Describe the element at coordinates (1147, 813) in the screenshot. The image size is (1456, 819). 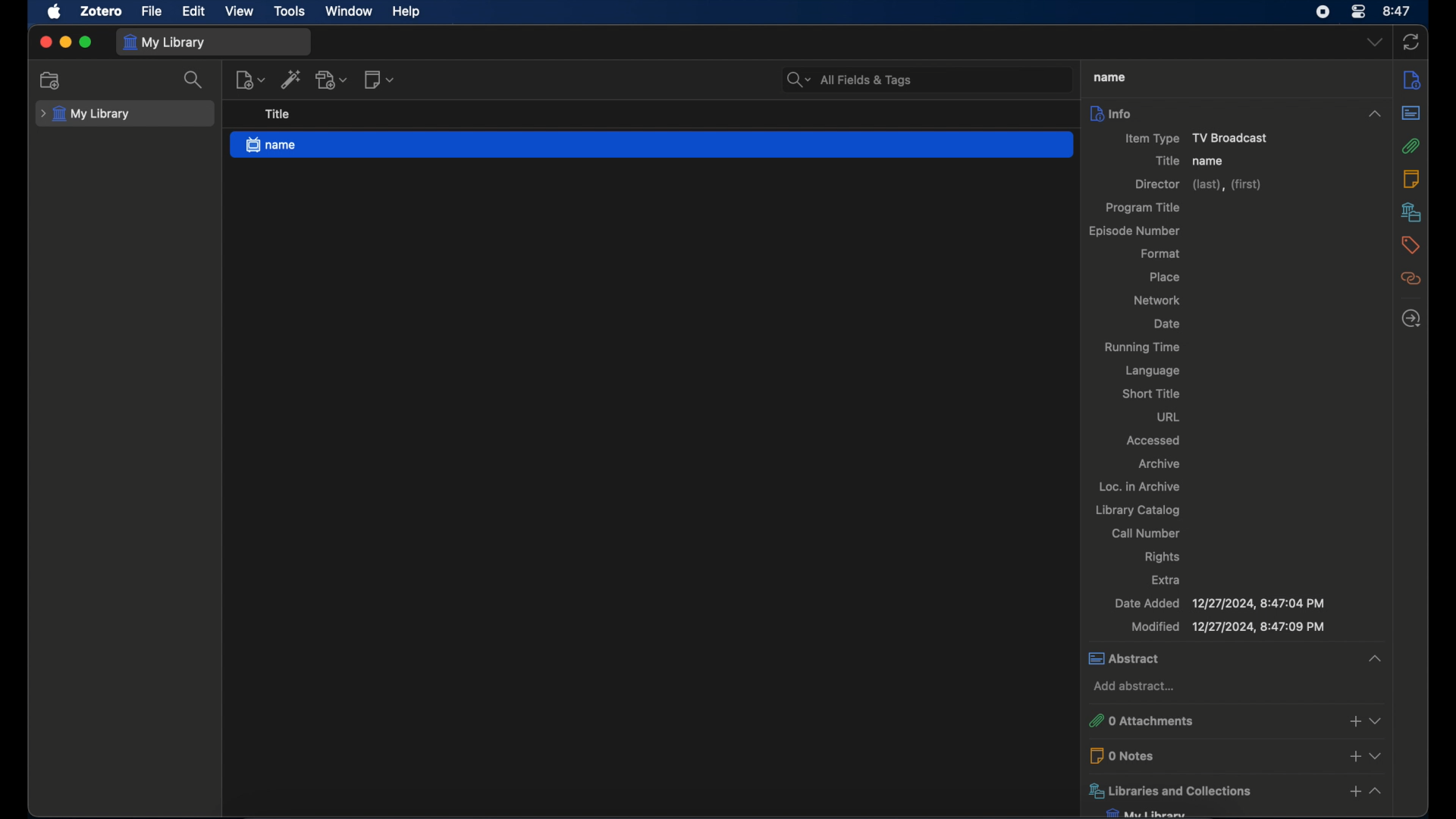
I see `my library` at that location.